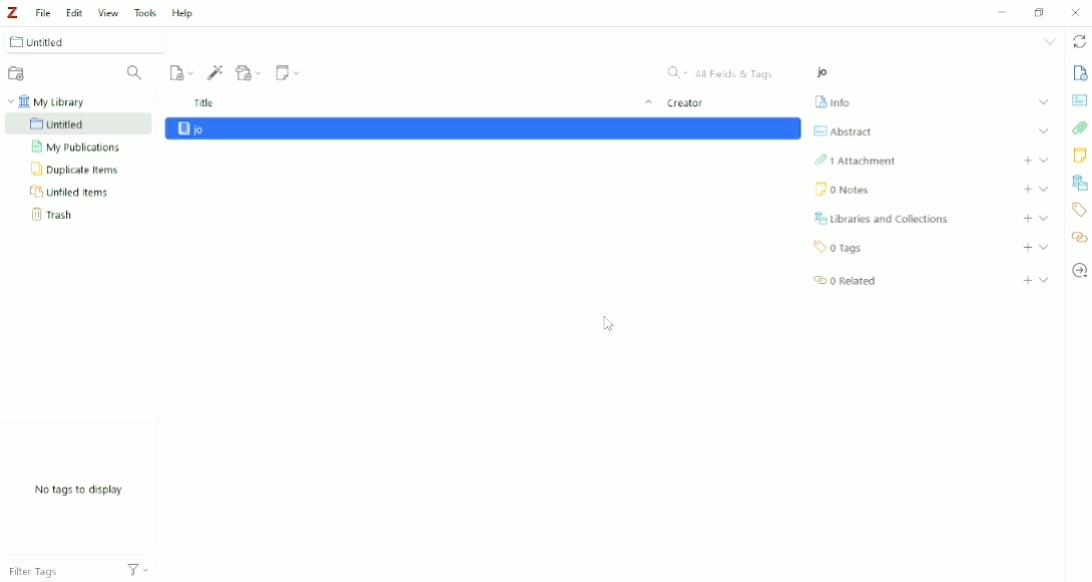 The image size is (1092, 582). What do you see at coordinates (1078, 100) in the screenshot?
I see `Abstract` at bounding box center [1078, 100].